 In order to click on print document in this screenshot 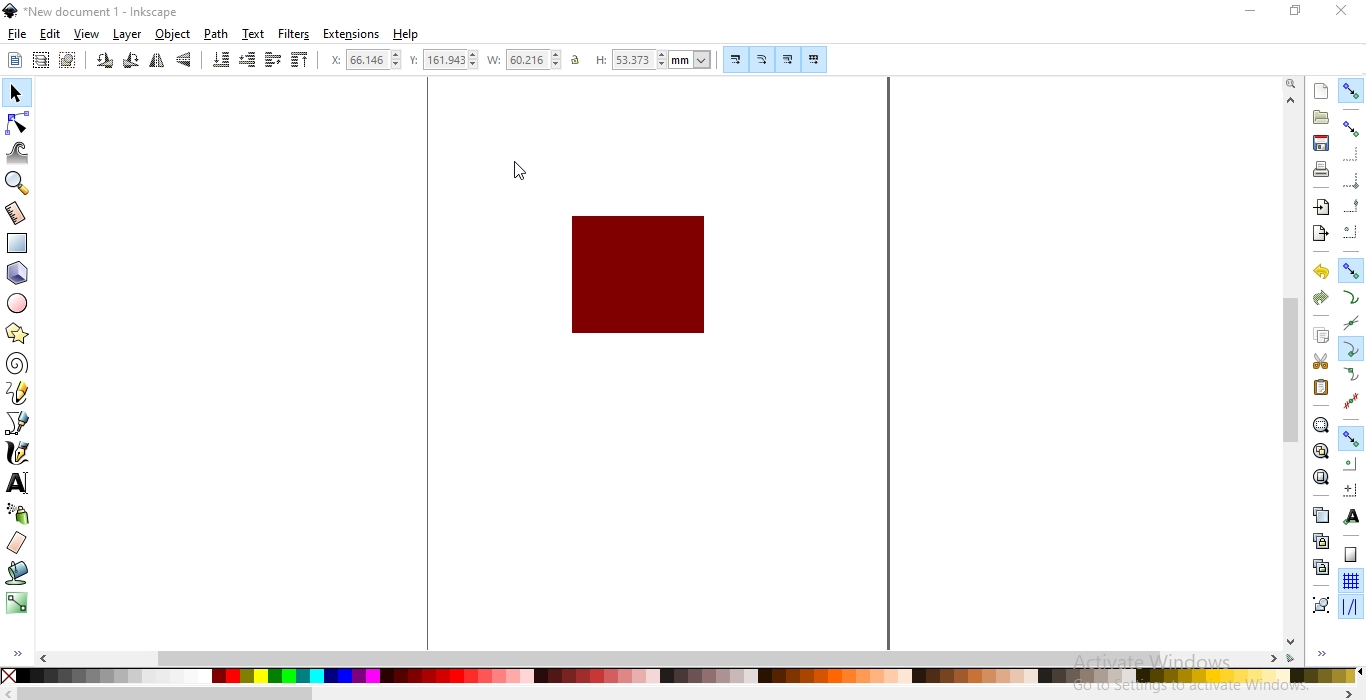, I will do `click(1319, 169)`.